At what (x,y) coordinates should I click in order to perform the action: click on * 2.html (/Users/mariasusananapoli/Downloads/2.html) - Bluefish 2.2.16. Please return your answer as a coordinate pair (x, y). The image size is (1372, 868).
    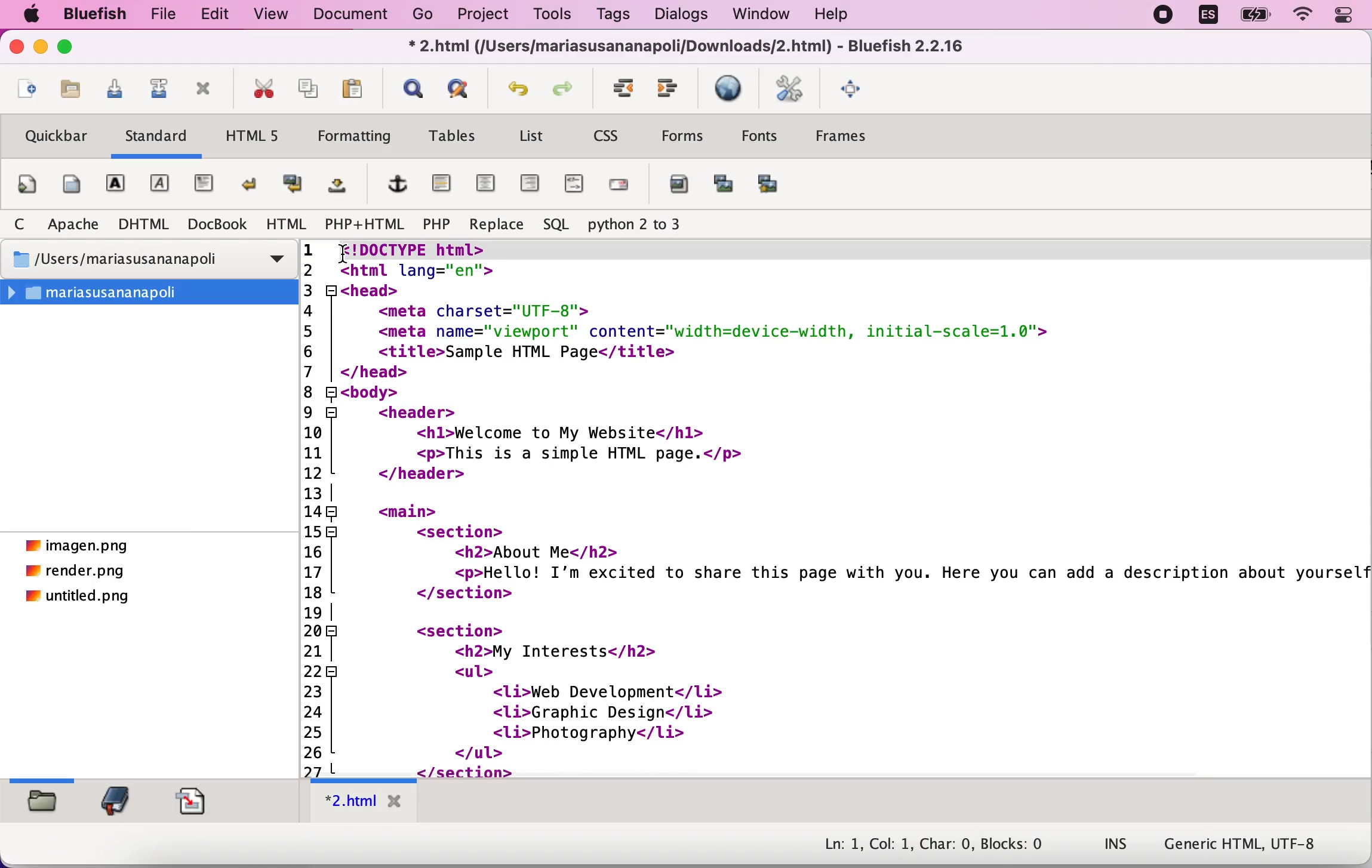
    Looking at the image, I should click on (690, 48).